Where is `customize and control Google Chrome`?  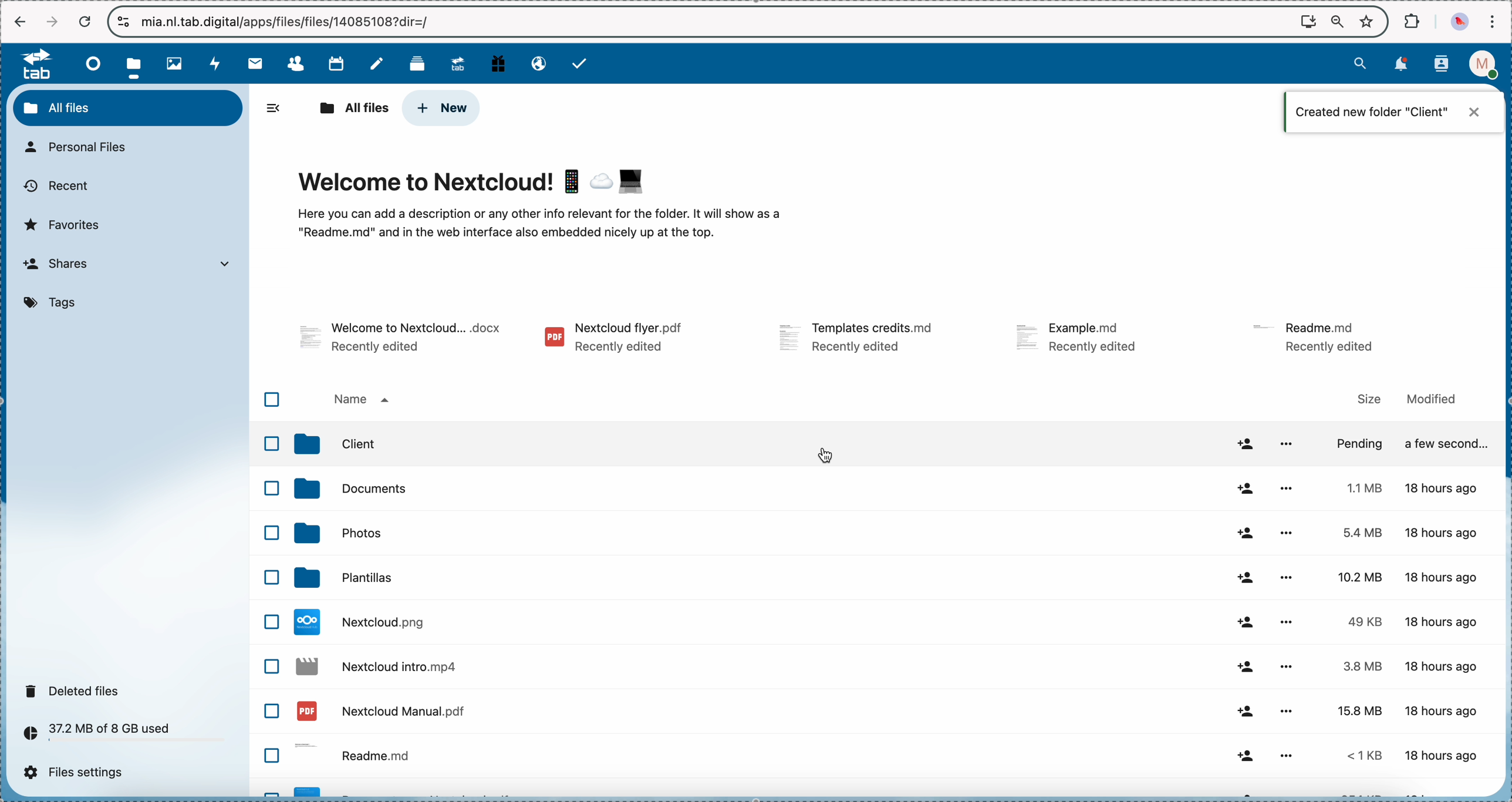 customize and control Google Chrome is located at coordinates (1491, 21).